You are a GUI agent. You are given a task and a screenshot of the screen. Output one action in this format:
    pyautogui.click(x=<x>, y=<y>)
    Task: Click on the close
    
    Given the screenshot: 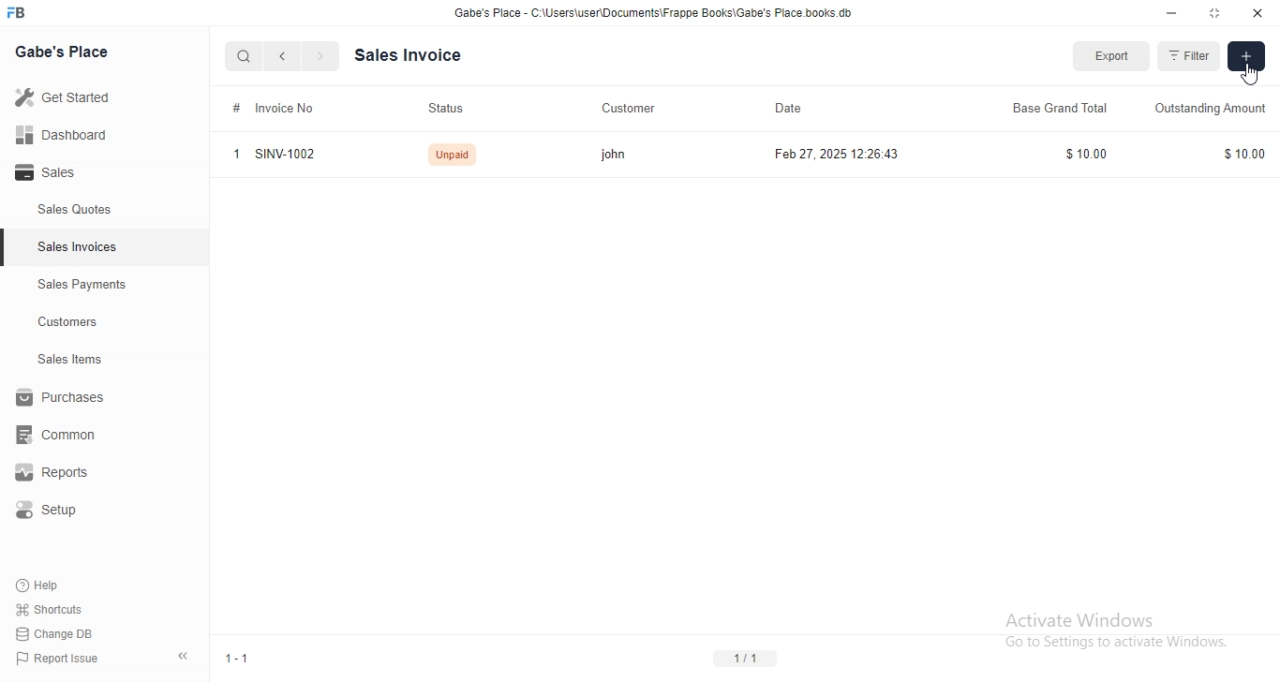 What is the action you would take?
    pyautogui.click(x=1257, y=14)
    